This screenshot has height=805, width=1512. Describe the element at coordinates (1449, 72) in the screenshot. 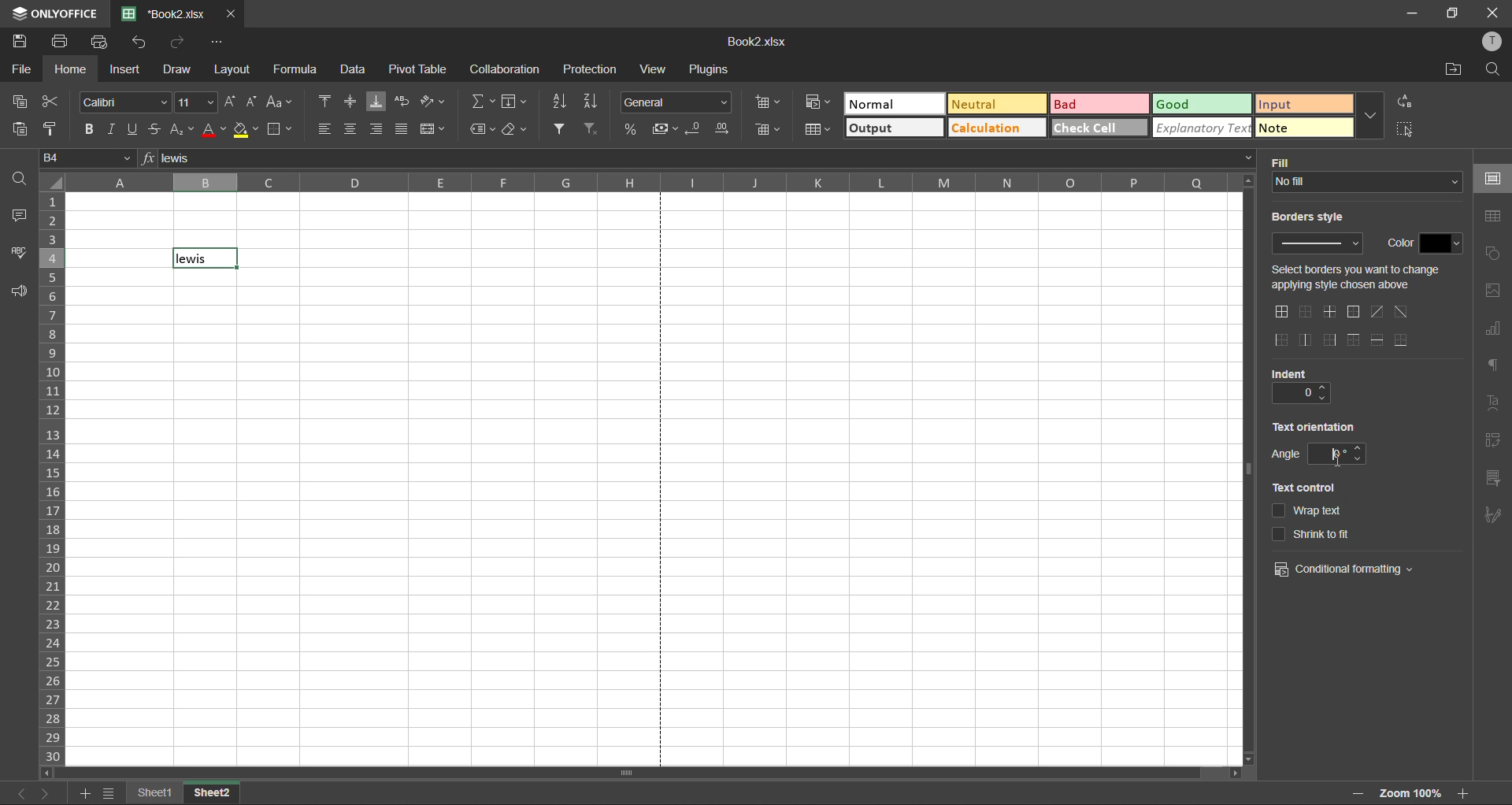

I see `open location` at that location.